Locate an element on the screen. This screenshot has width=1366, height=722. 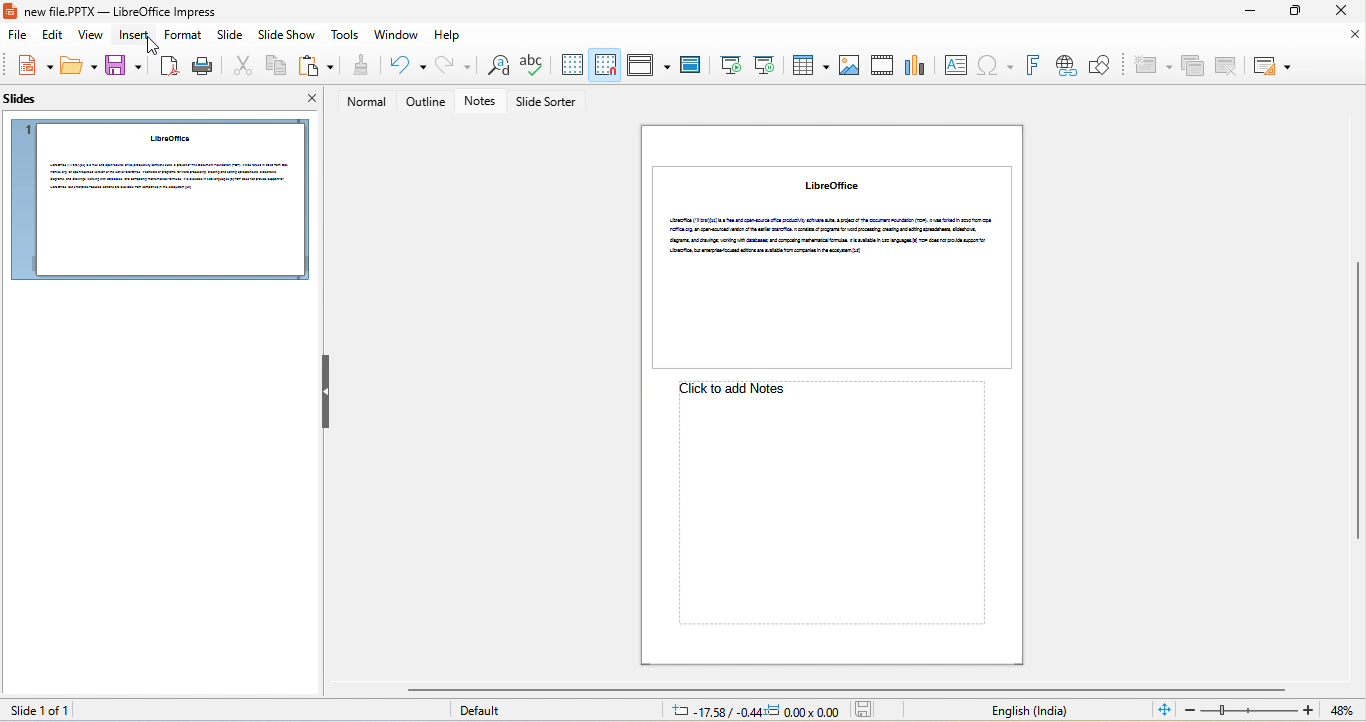
file is located at coordinates (14, 36).